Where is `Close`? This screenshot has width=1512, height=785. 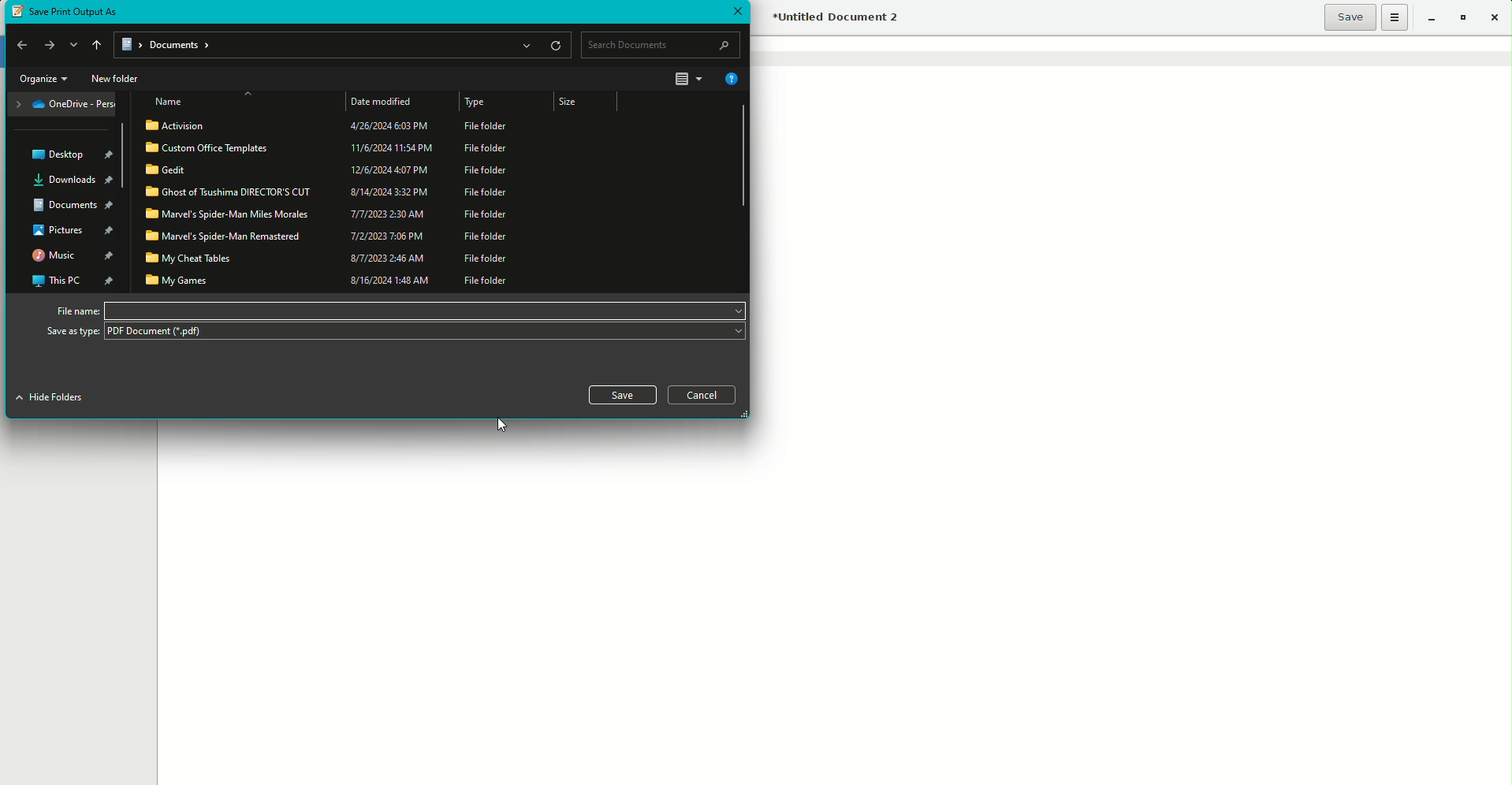
Close is located at coordinates (737, 9).